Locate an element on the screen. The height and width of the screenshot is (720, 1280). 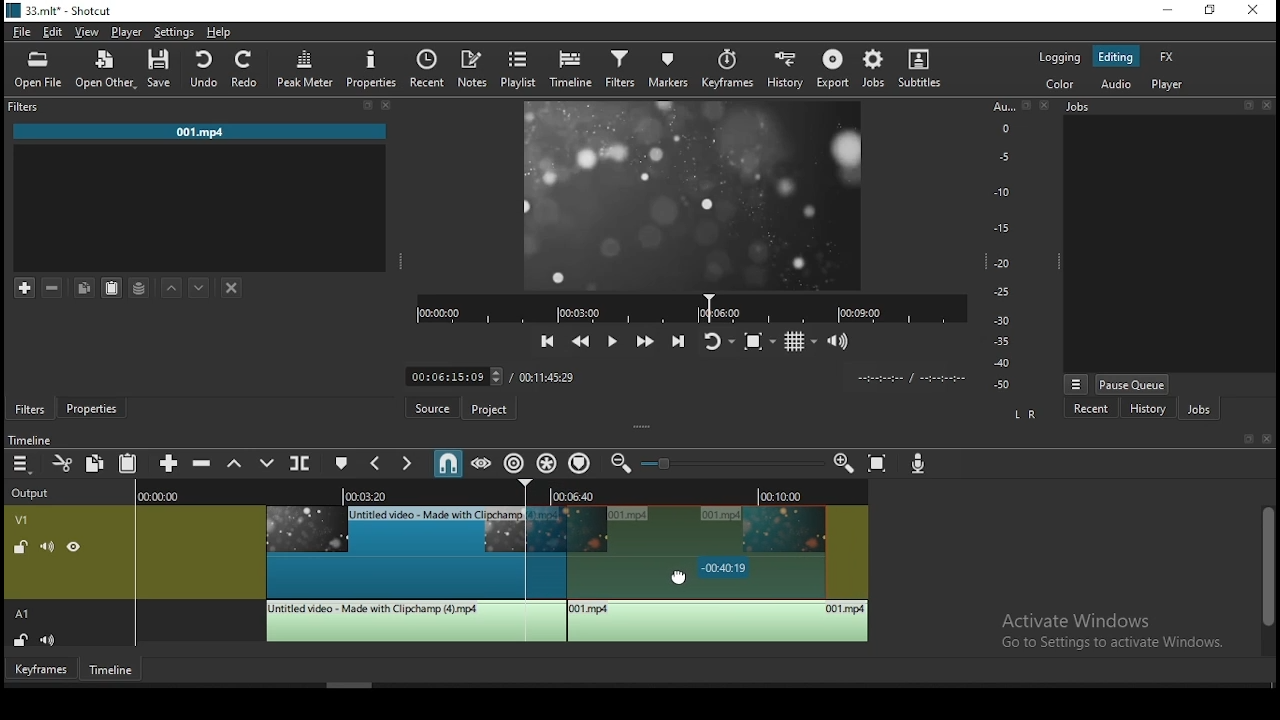
previous marker is located at coordinates (371, 463).